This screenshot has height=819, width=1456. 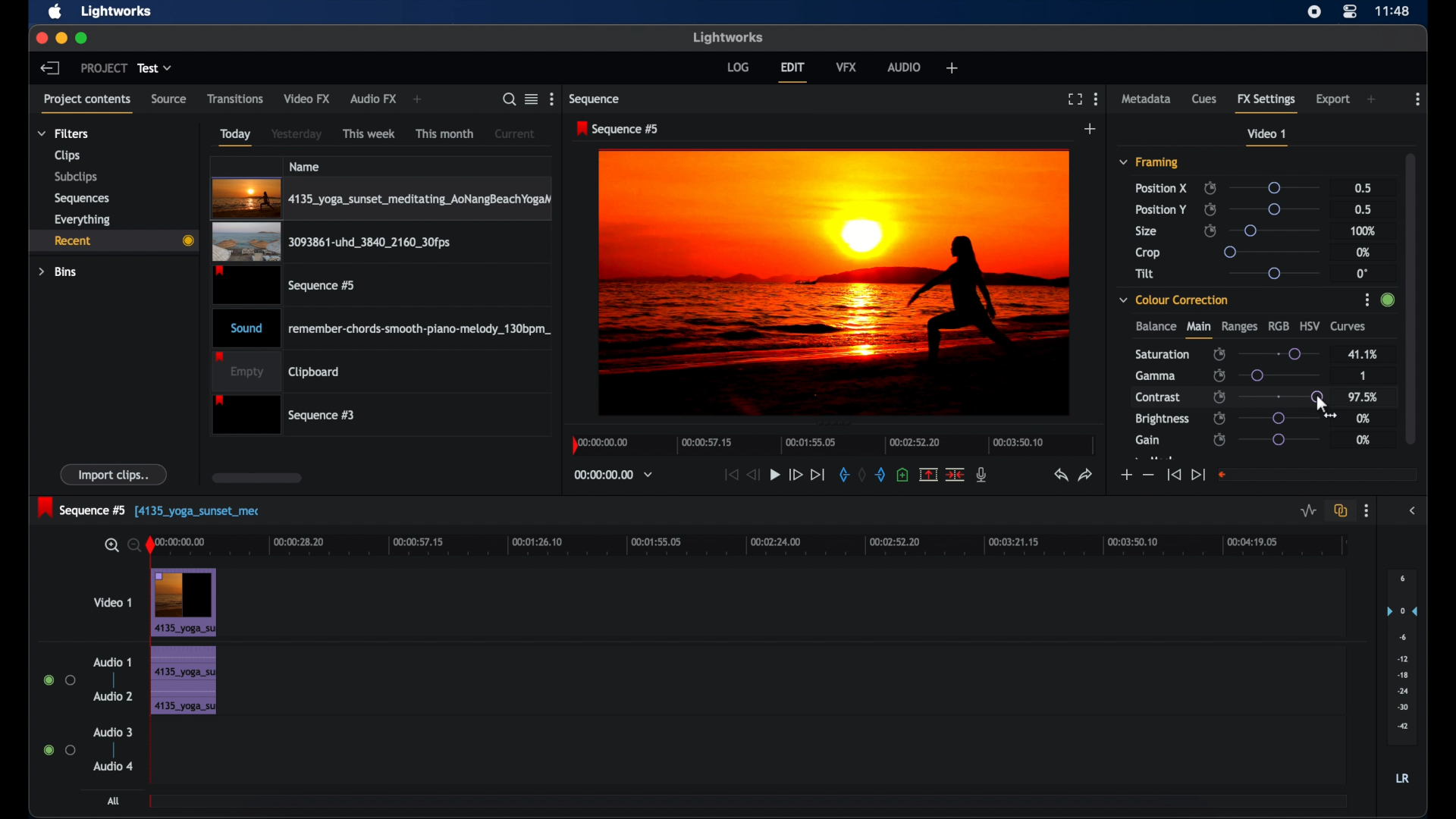 What do you see at coordinates (1362, 353) in the screenshot?
I see `41.1%` at bounding box center [1362, 353].